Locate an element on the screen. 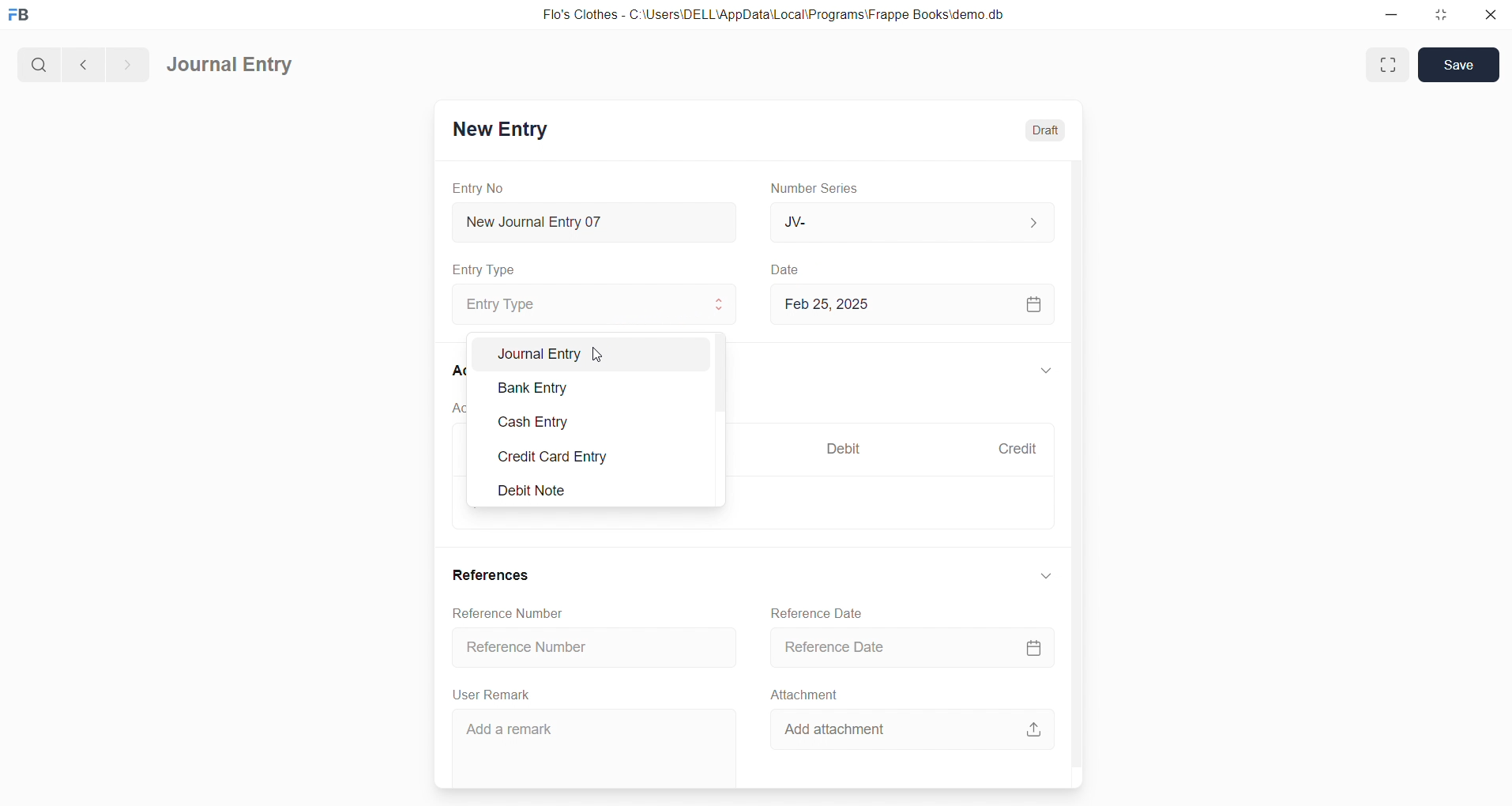 The image size is (1512, 806). navigate forward is located at coordinates (127, 62).